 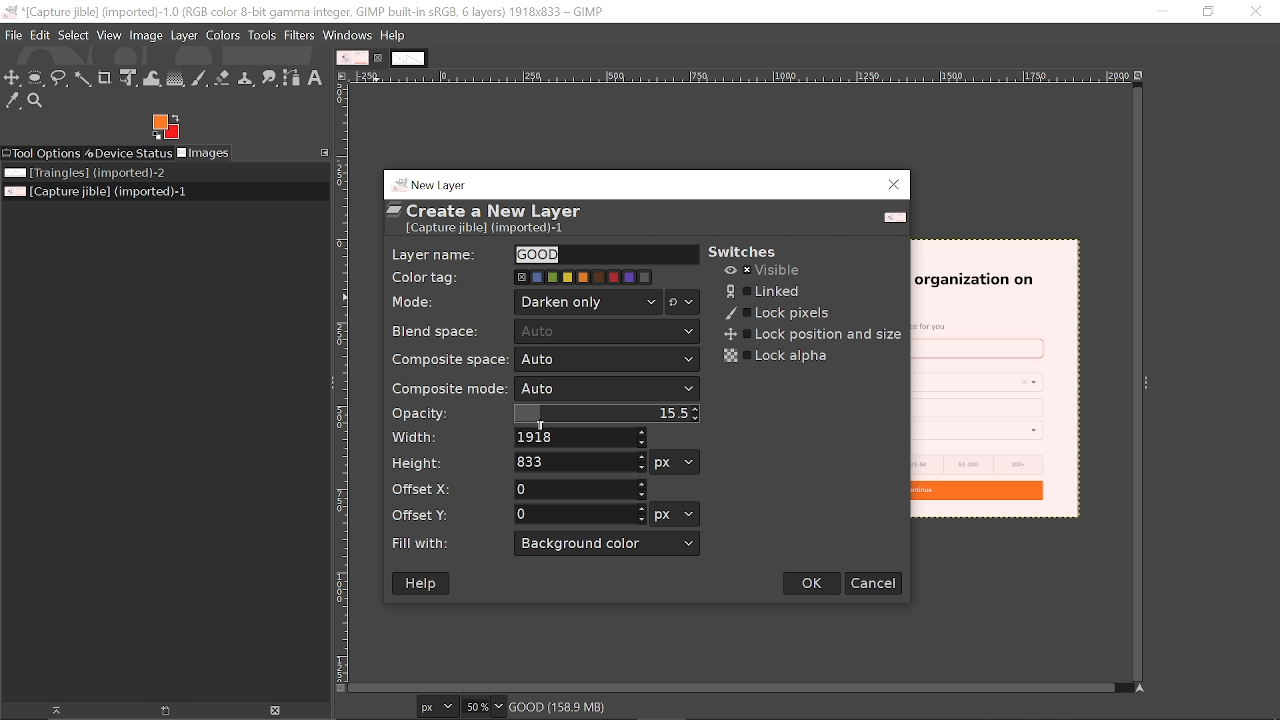 I want to click on Blend space:, so click(x=440, y=330).